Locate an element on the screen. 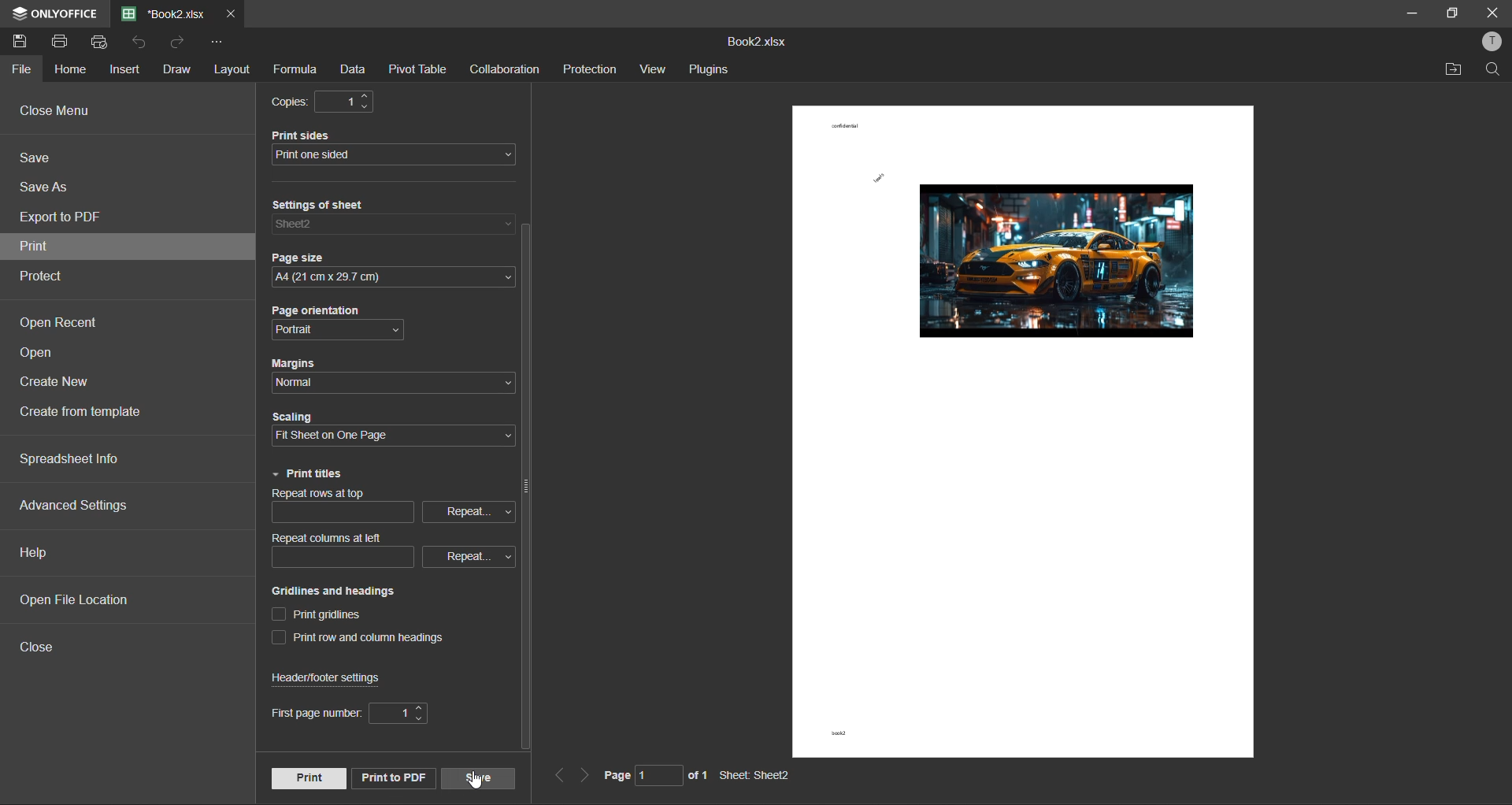 The height and width of the screenshot is (805, 1512). draw is located at coordinates (177, 71).